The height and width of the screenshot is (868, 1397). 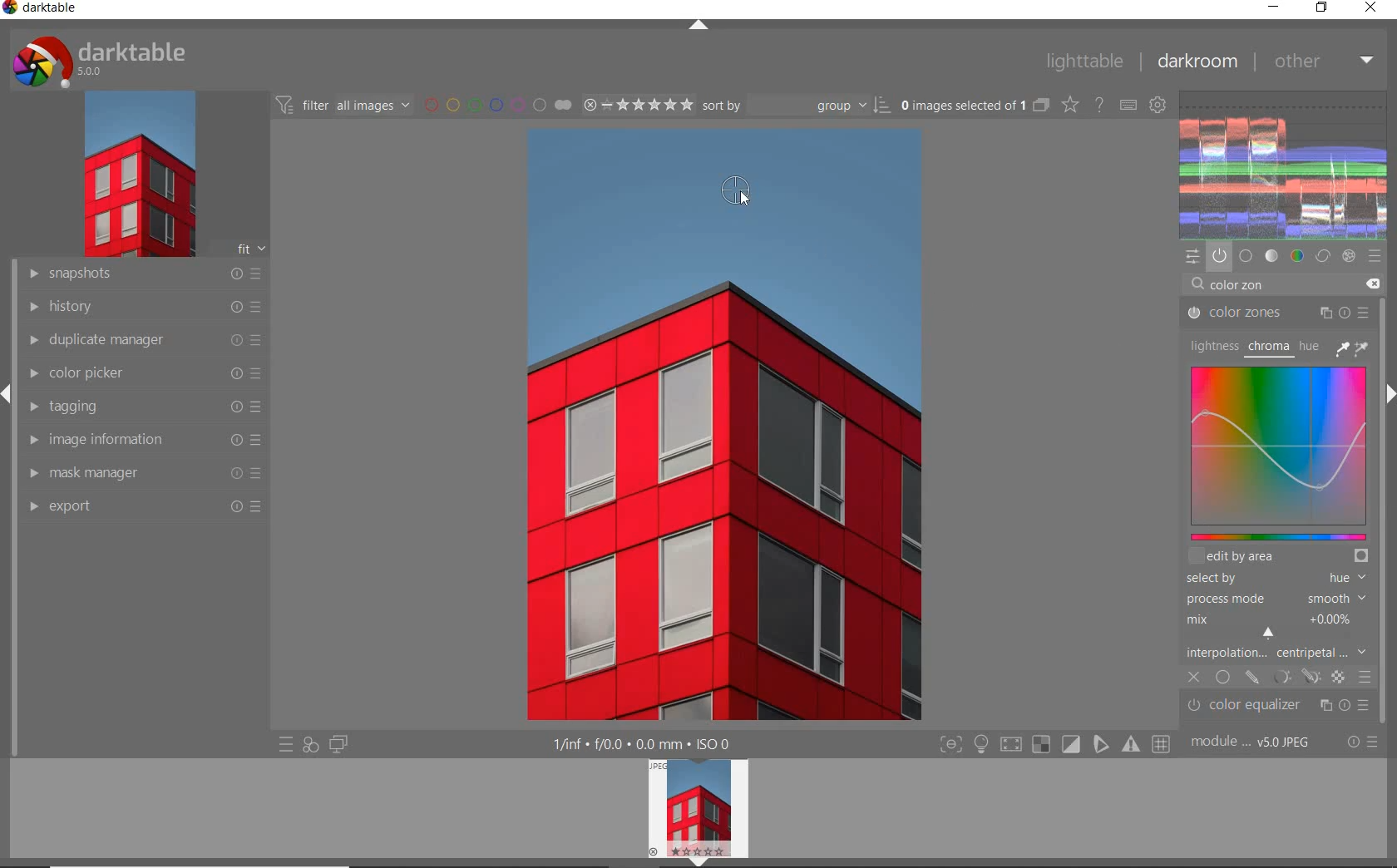 What do you see at coordinates (338, 742) in the screenshot?
I see `display a second darkroom image widow` at bounding box center [338, 742].